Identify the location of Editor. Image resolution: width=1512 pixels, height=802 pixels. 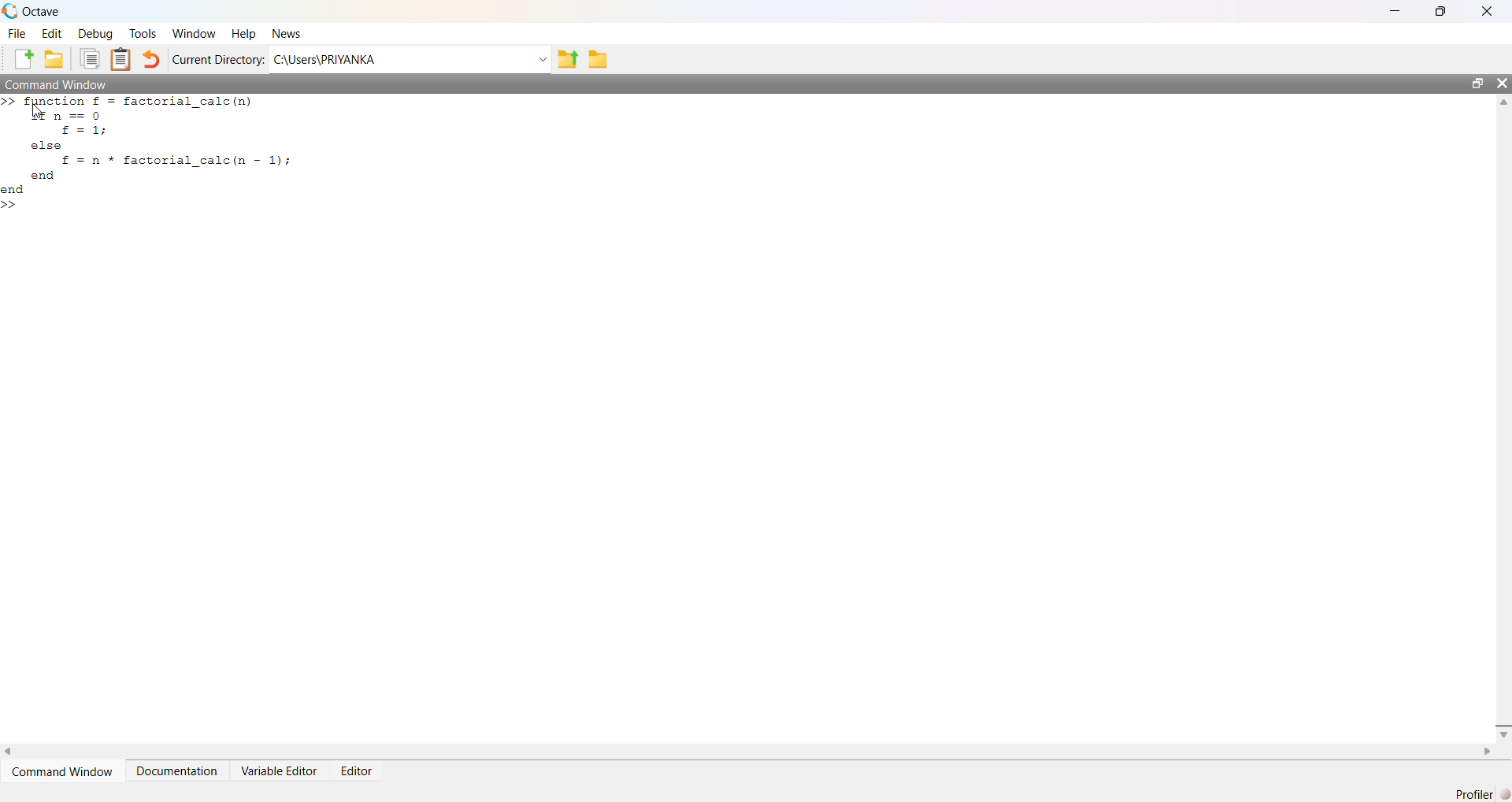
(358, 773).